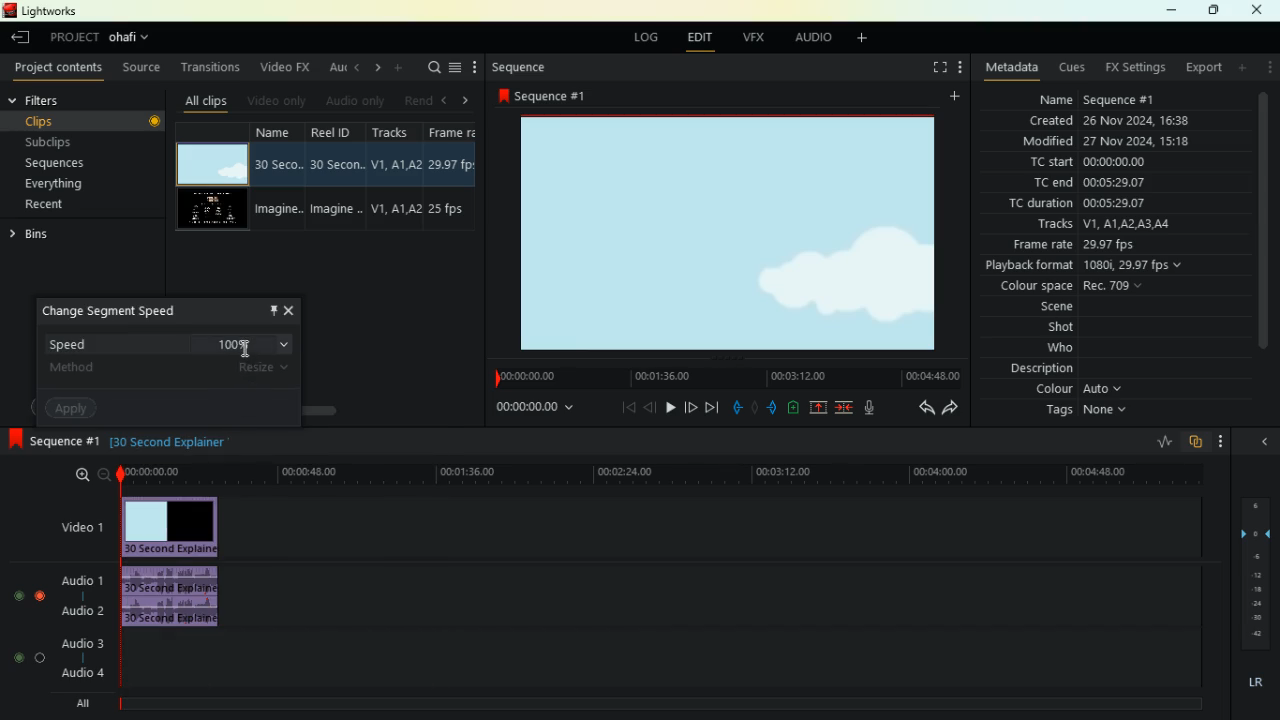 The image size is (1280, 720). I want to click on tags, so click(1079, 411).